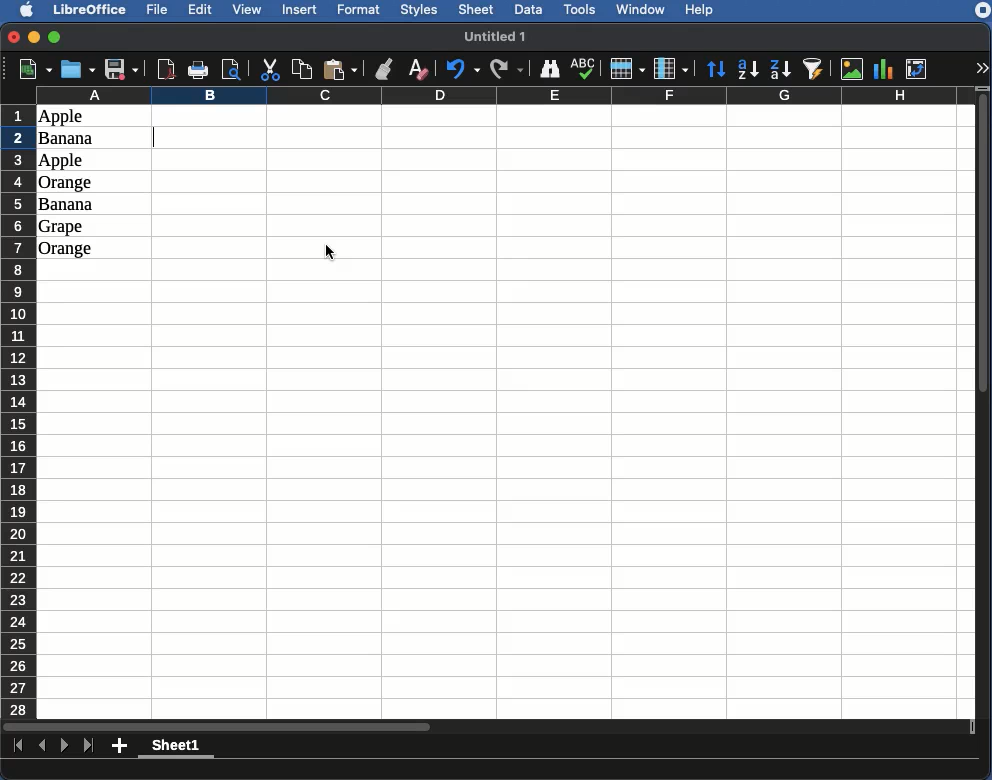  Describe the element at coordinates (65, 748) in the screenshot. I see `Next sheet` at that location.